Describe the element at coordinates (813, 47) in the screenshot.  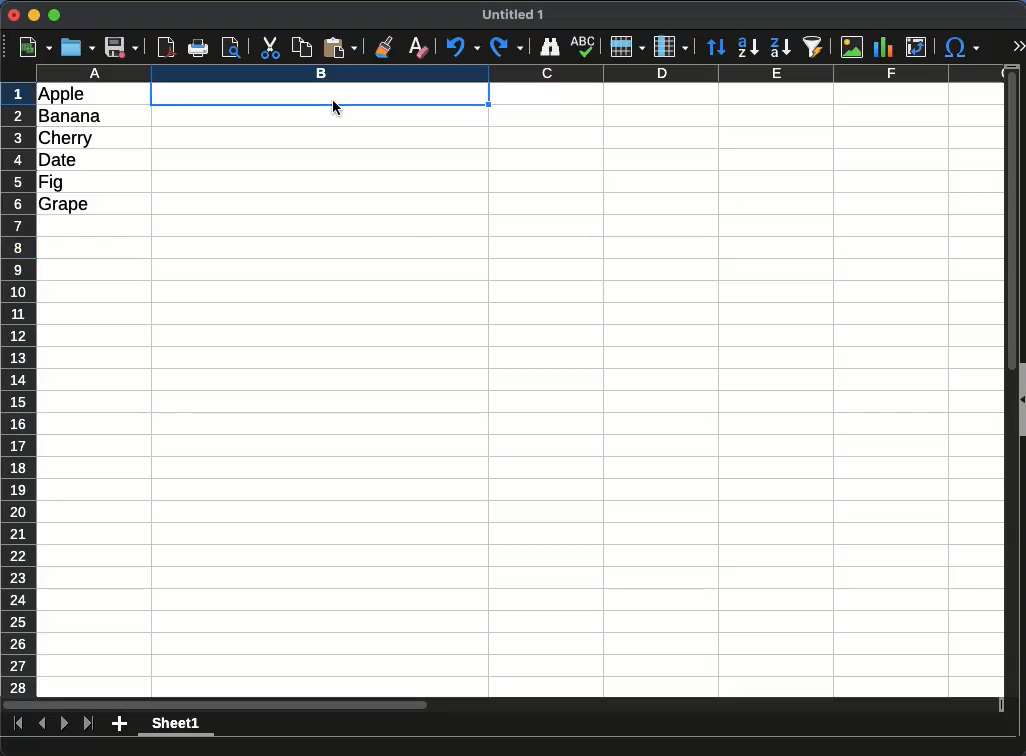
I see `autofilter` at that location.